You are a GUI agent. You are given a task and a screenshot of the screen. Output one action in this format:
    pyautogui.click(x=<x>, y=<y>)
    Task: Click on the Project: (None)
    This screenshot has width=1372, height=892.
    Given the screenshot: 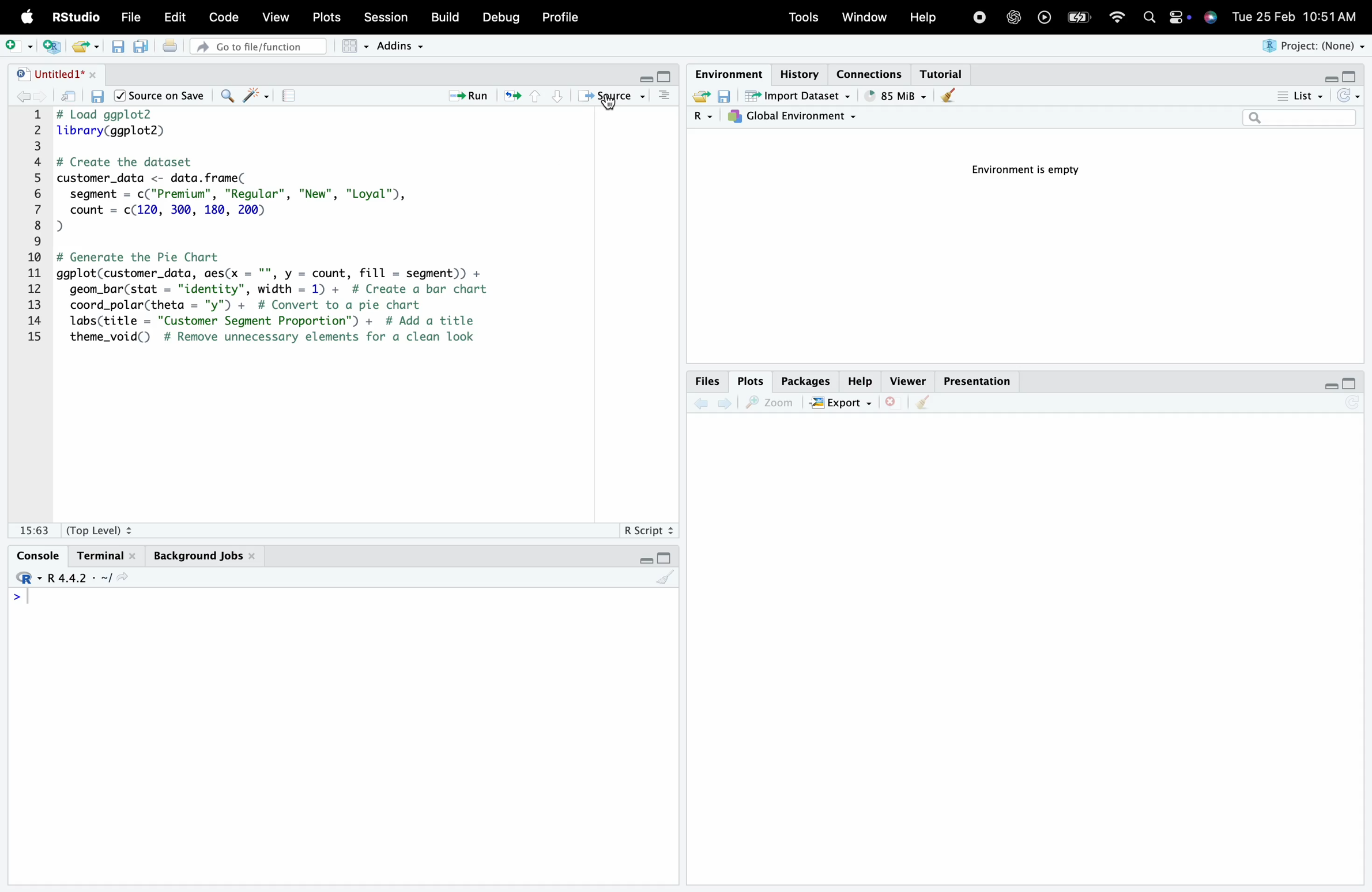 What is the action you would take?
    pyautogui.click(x=1310, y=46)
    